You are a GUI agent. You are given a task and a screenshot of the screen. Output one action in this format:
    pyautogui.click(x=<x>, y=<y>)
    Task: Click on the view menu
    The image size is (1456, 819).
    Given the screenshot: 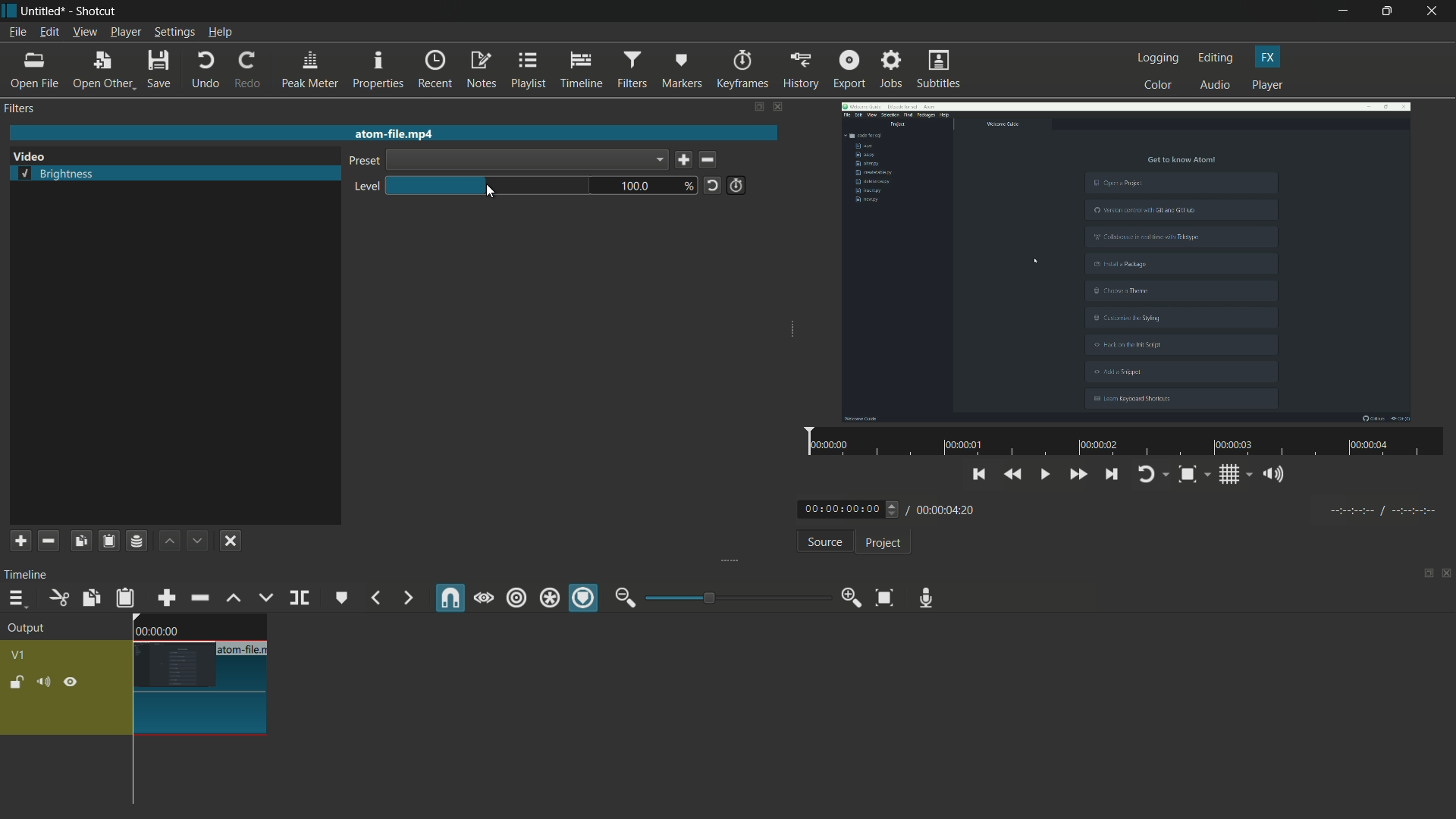 What is the action you would take?
    pyautogui.click(x=84, y=32)
    